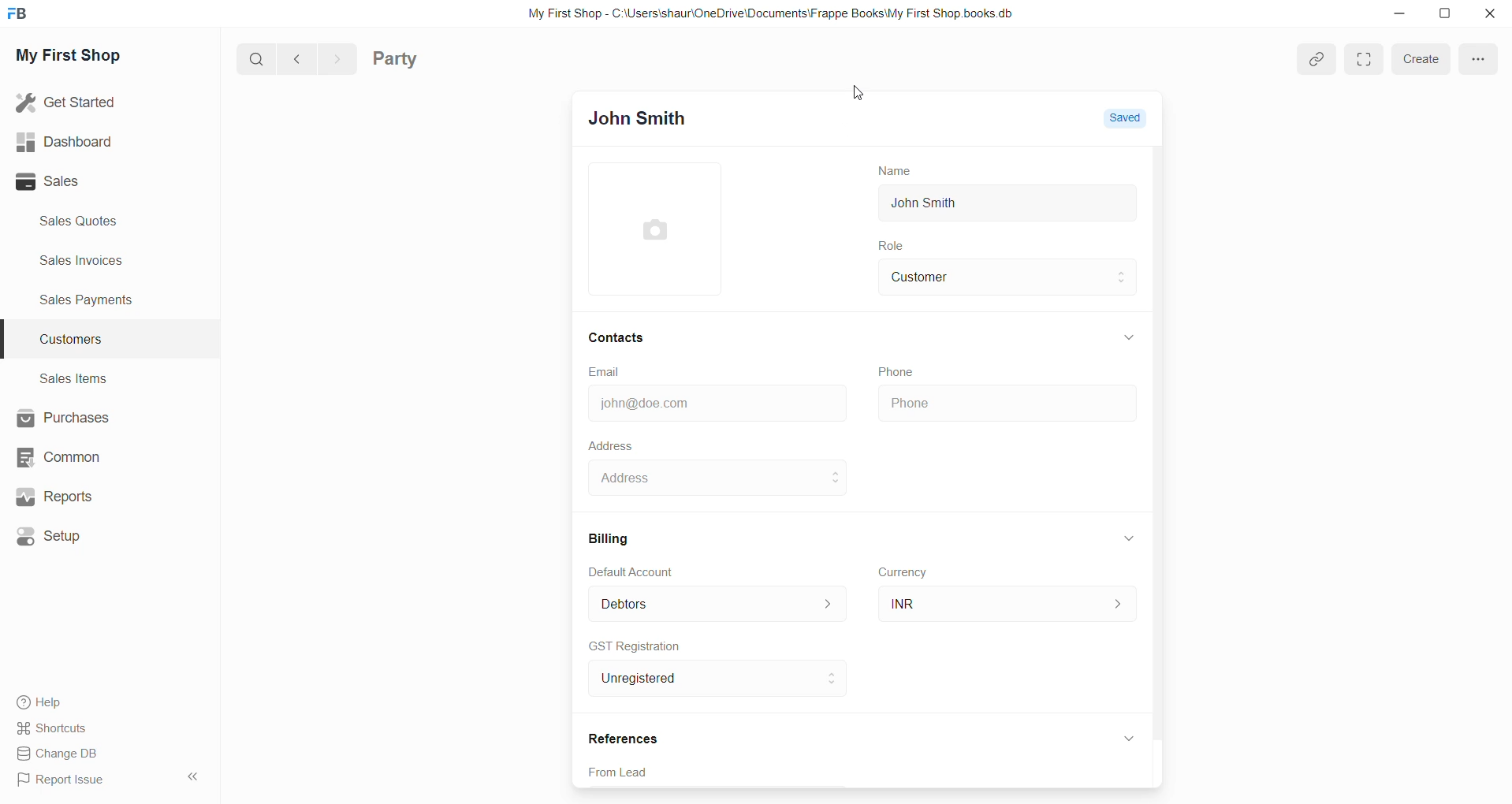 This screenshot has height=804, width=1512. What do you see at coordinates (1134, 119) in the screenshot?
I see `Draft` at bounding box center [1134, 119].